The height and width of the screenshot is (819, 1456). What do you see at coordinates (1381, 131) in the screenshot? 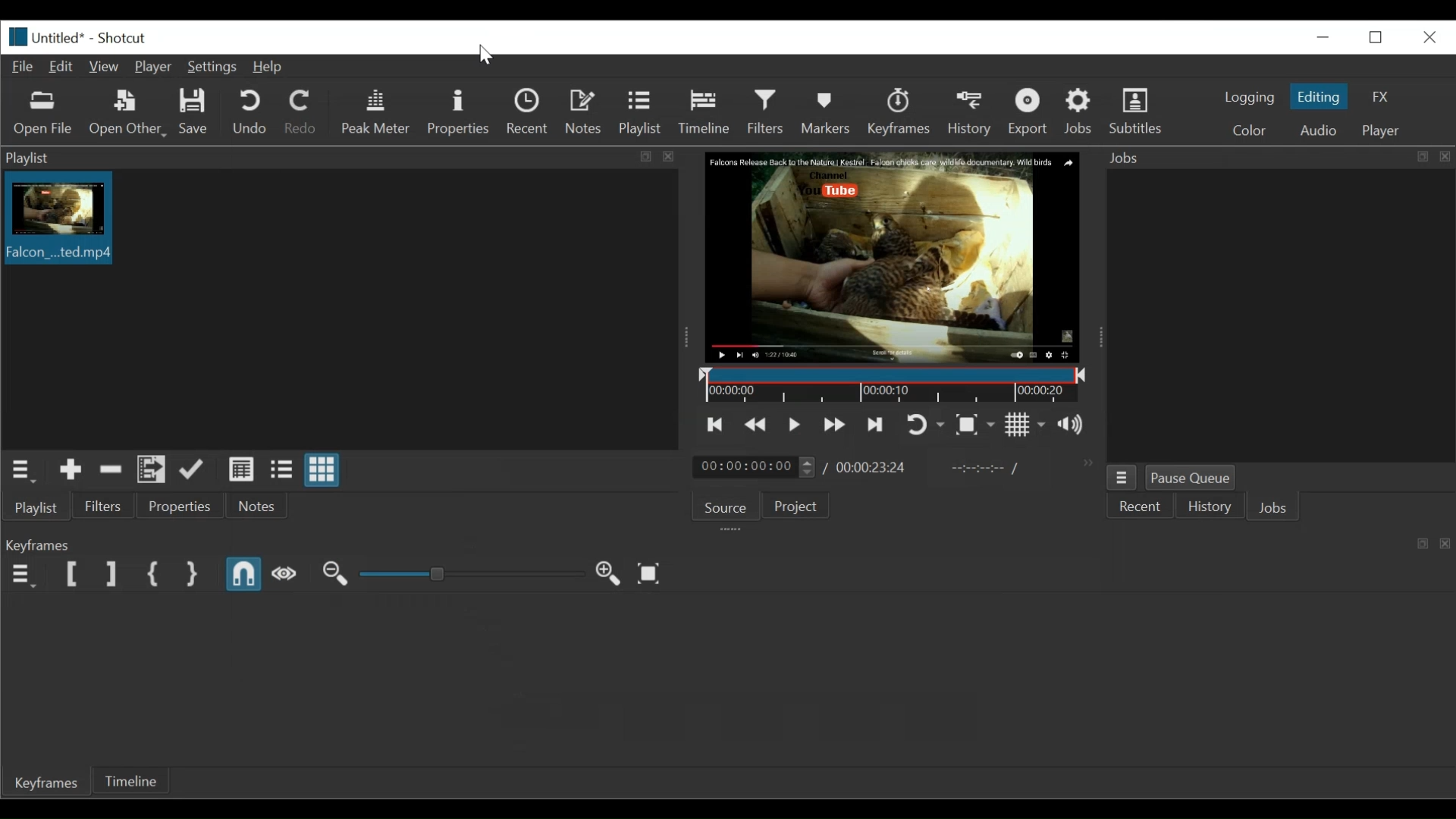
I see `Player` at bounding box center [1381, 131].